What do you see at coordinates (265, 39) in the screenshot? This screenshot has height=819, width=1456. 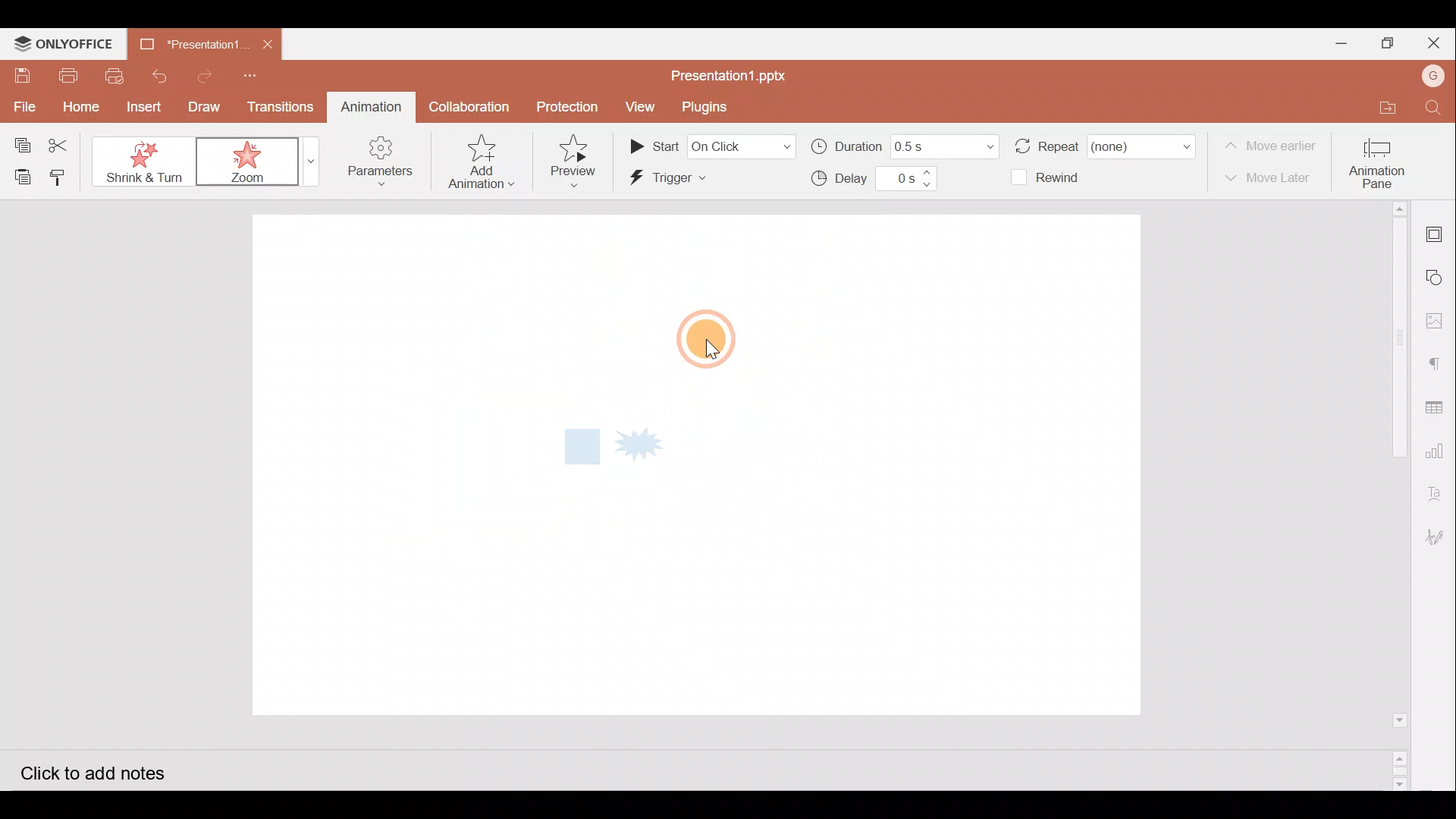 I see `Close document` at bounding box center [265, 39].